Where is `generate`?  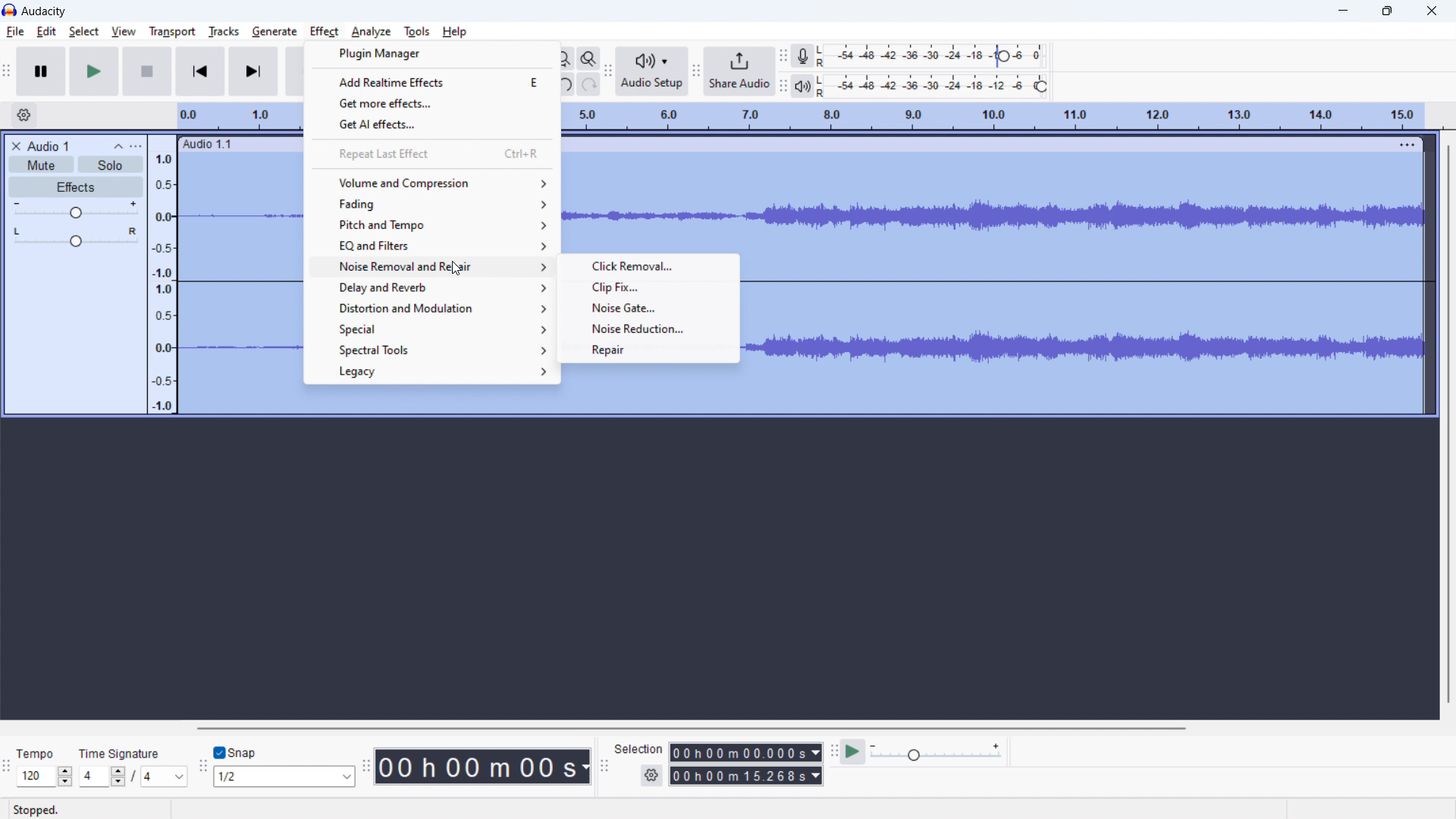 generate is located at coordinates (275, 32).